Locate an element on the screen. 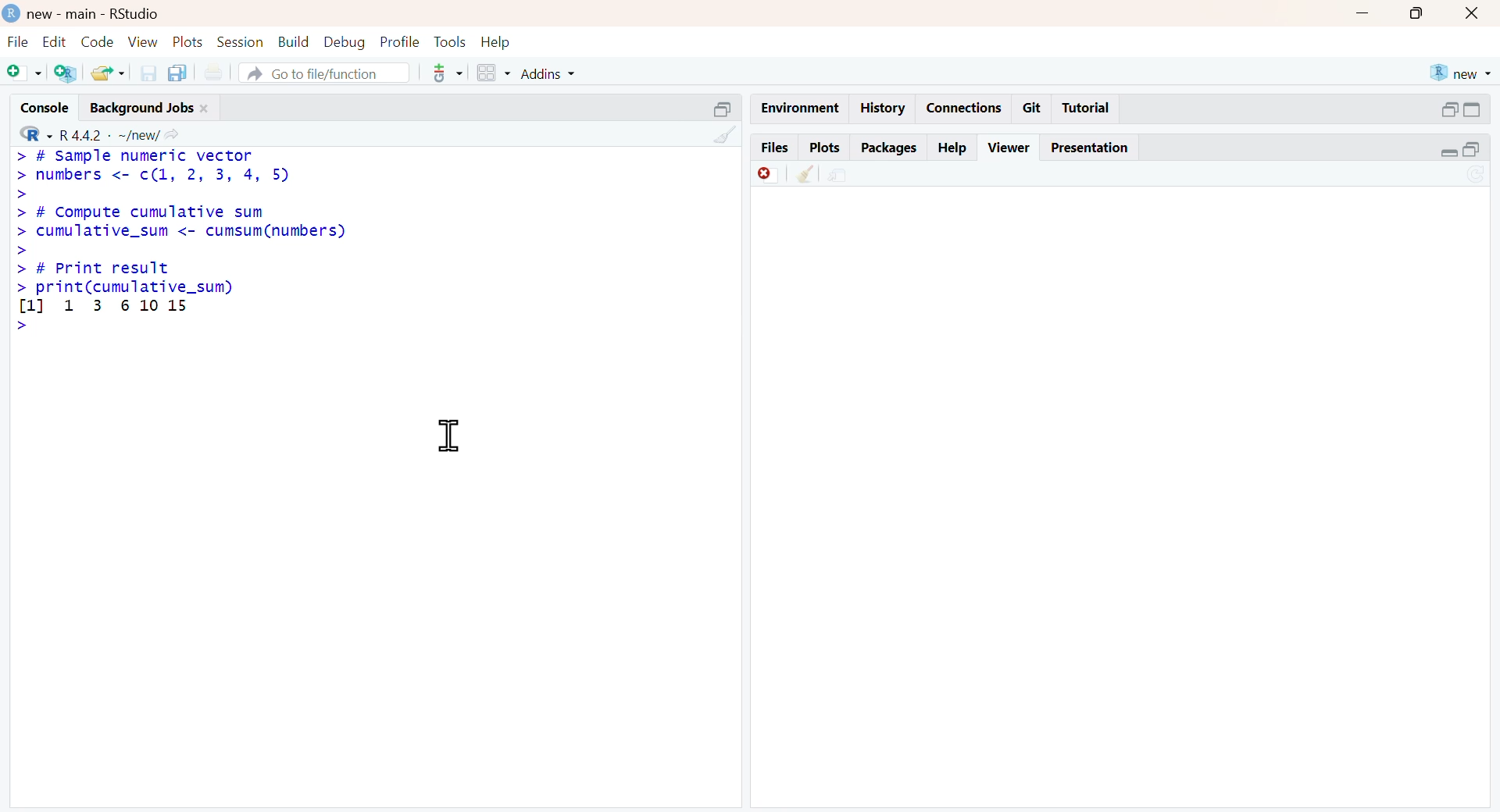 This screenshot has width=1500, height=812. plots is located at coordinates (187, 40).